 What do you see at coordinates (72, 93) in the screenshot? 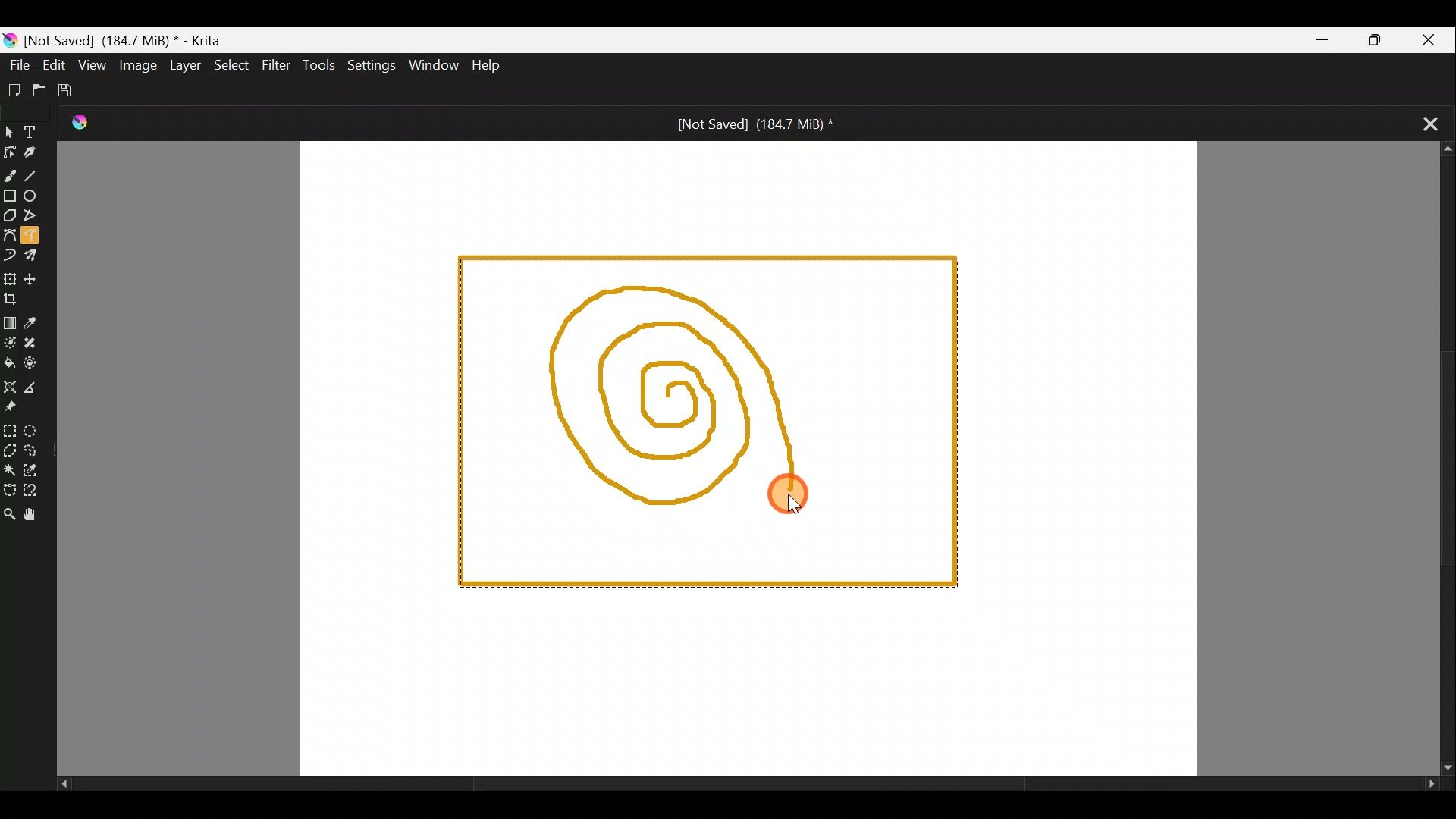
I see `Save` at bounding box center [72, 93].